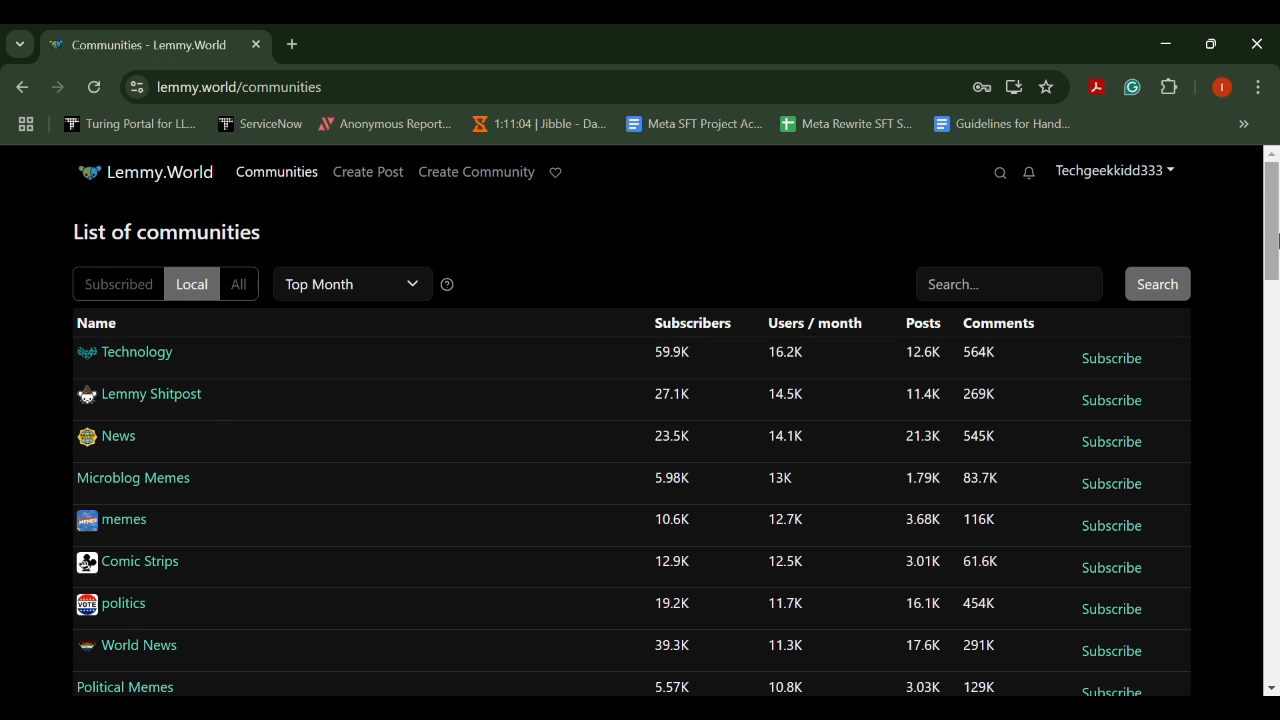 The image size is (1280, 720). What do you see at coordinates (1013, 87) in the screenshot?
I see `Install Desktop Application` at bounding box center [1013, 87].